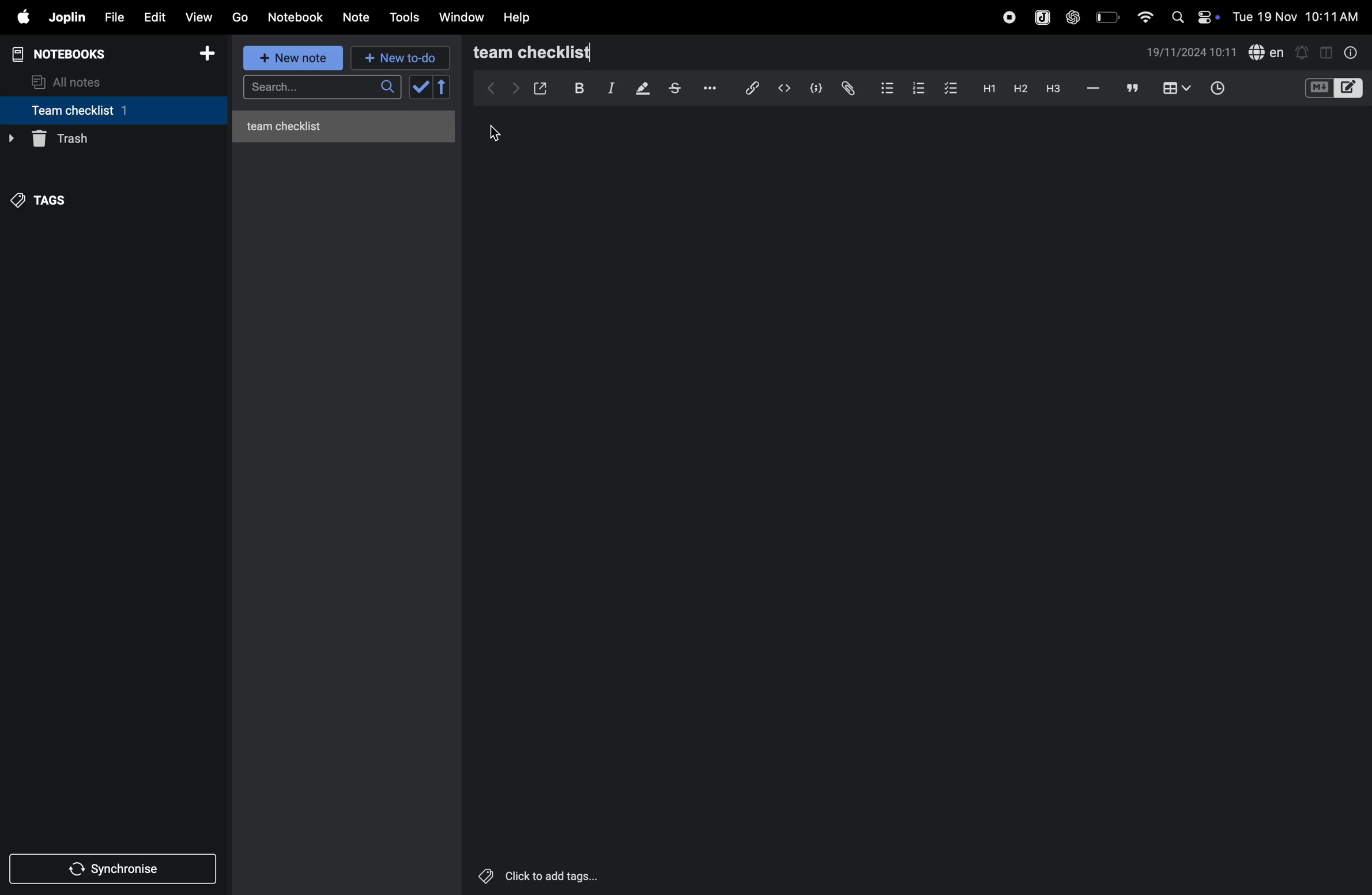 The image size is (1372, 895). Describe the element at coordinates (115, 868) in the screenshot. I see `synchronize` at that location.